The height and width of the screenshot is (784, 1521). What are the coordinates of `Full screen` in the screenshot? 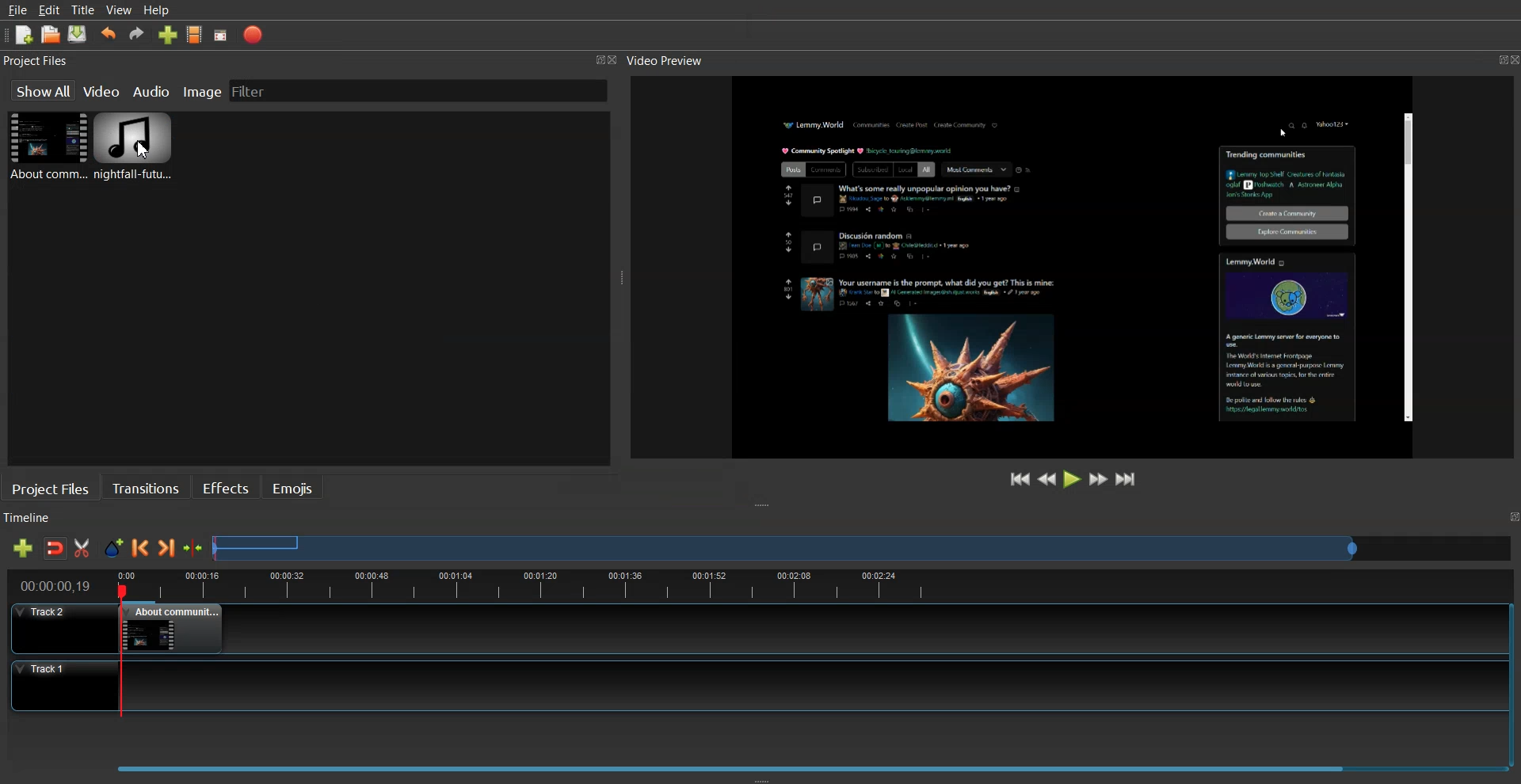 It's located at (221, 36).